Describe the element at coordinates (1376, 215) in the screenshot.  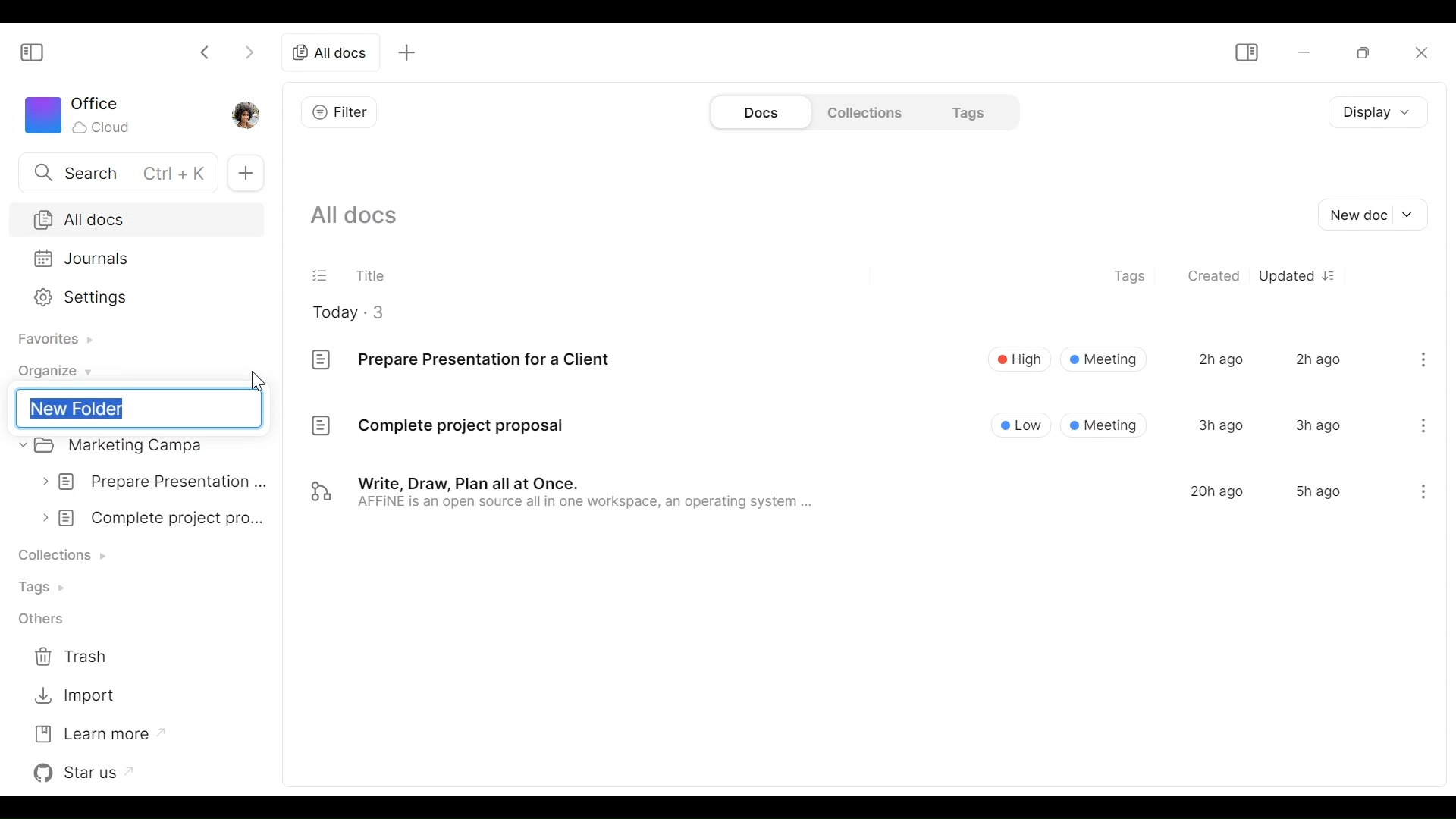
I see `New document` at that location.